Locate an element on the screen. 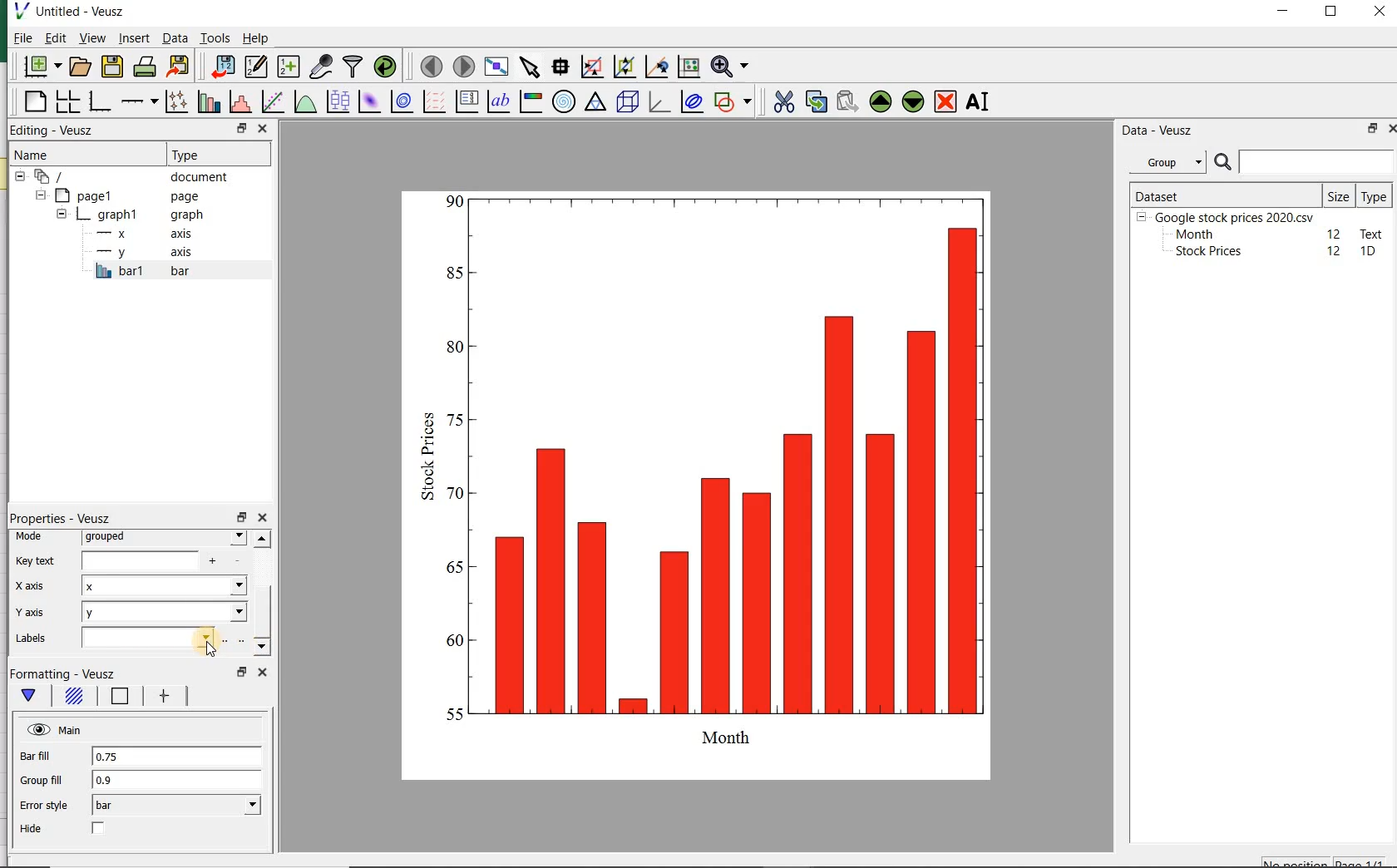  0.9 is located at coordinates (178, 782).